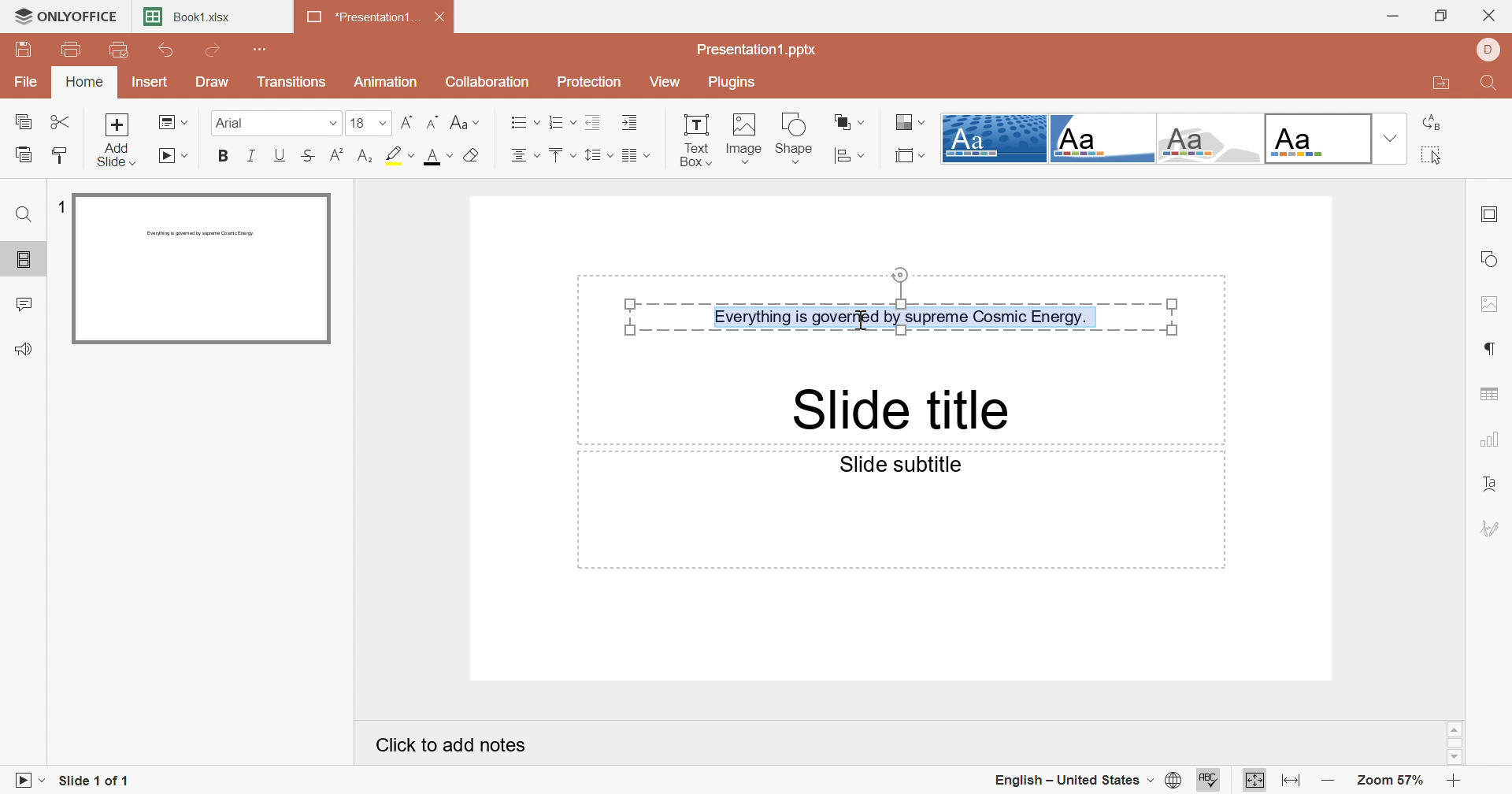 The height and width of the screenshot is (794, 1512). Describe the element at coordinates (600, 154) in the screenshot. I see `Line spacing` at that location.